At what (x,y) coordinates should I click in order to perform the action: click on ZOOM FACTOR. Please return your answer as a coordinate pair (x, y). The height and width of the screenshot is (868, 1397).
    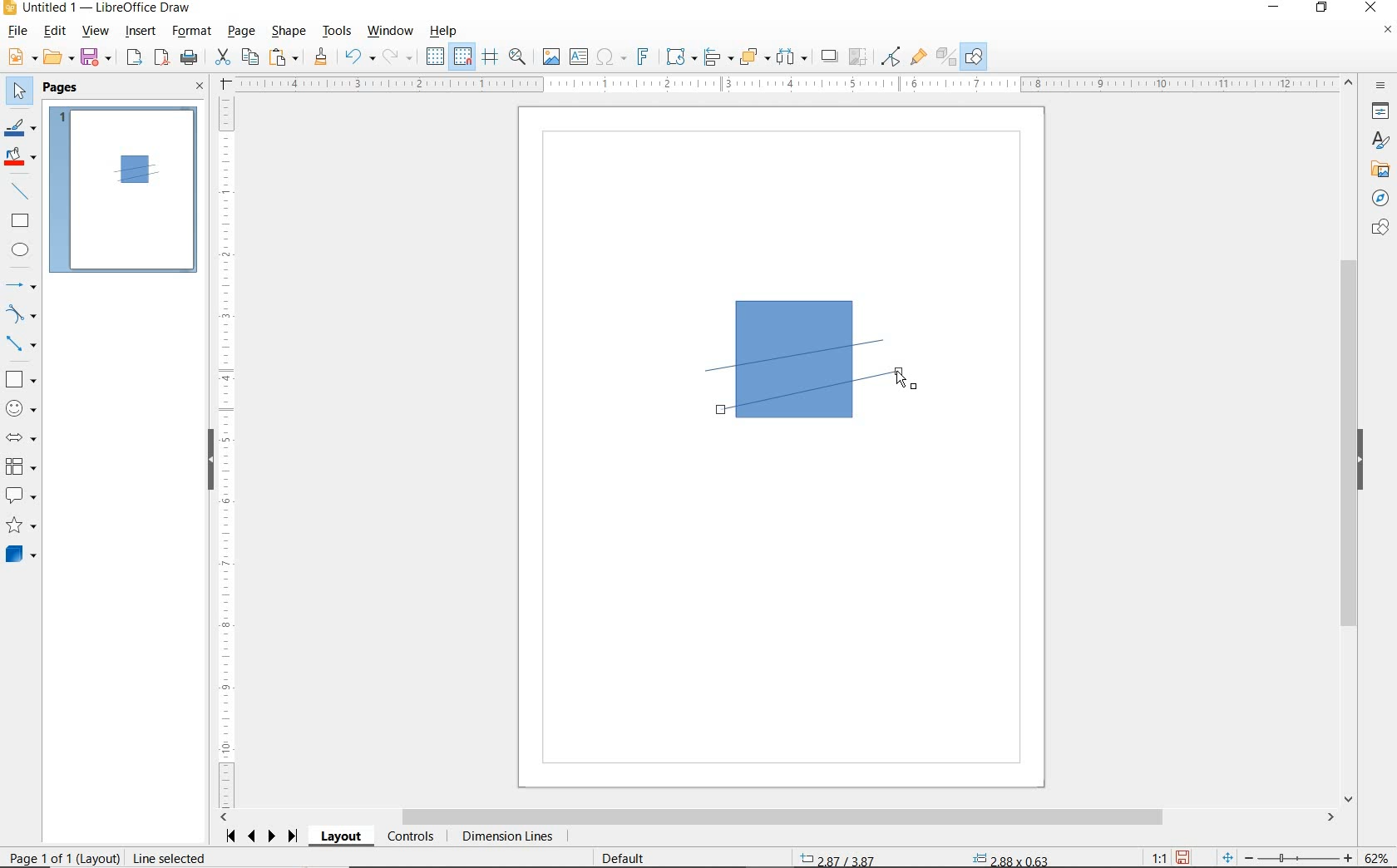
    Looking at the image, I should click on (1375, 858).